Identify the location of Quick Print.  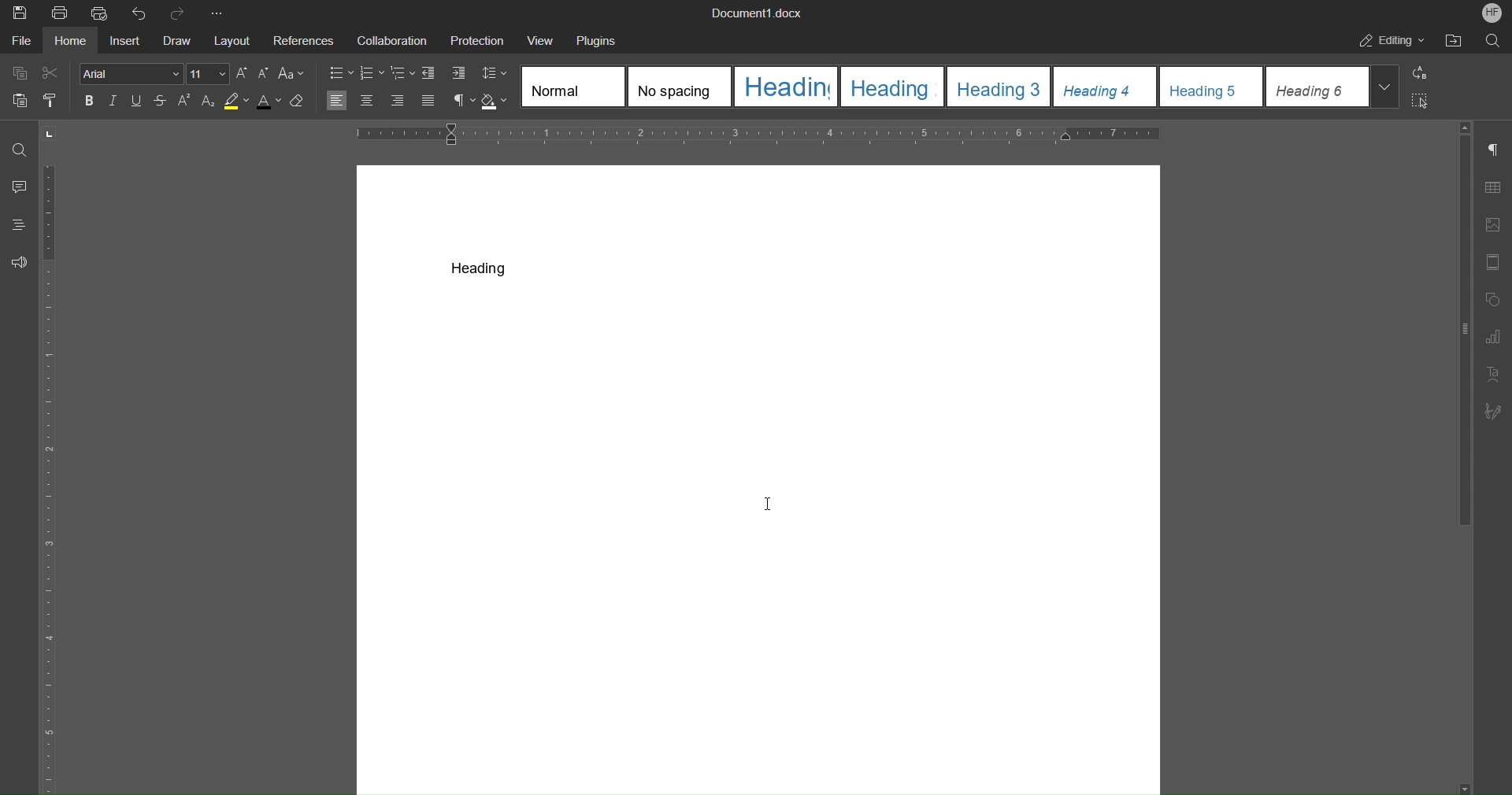
(103, 12).